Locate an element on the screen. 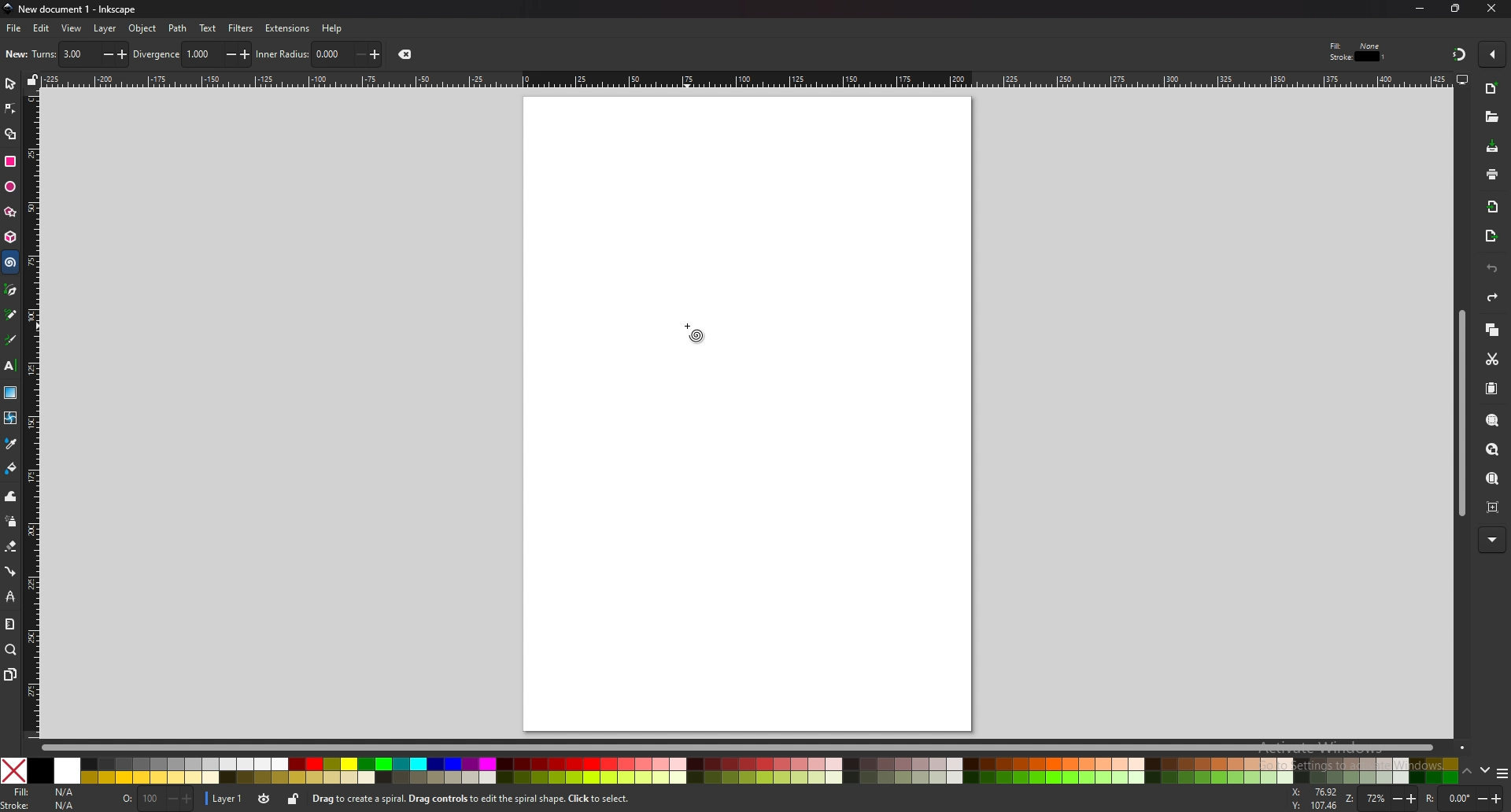 This screenshot has height=812, width=1511. fill: N/A is located at coordinates (47, 791).